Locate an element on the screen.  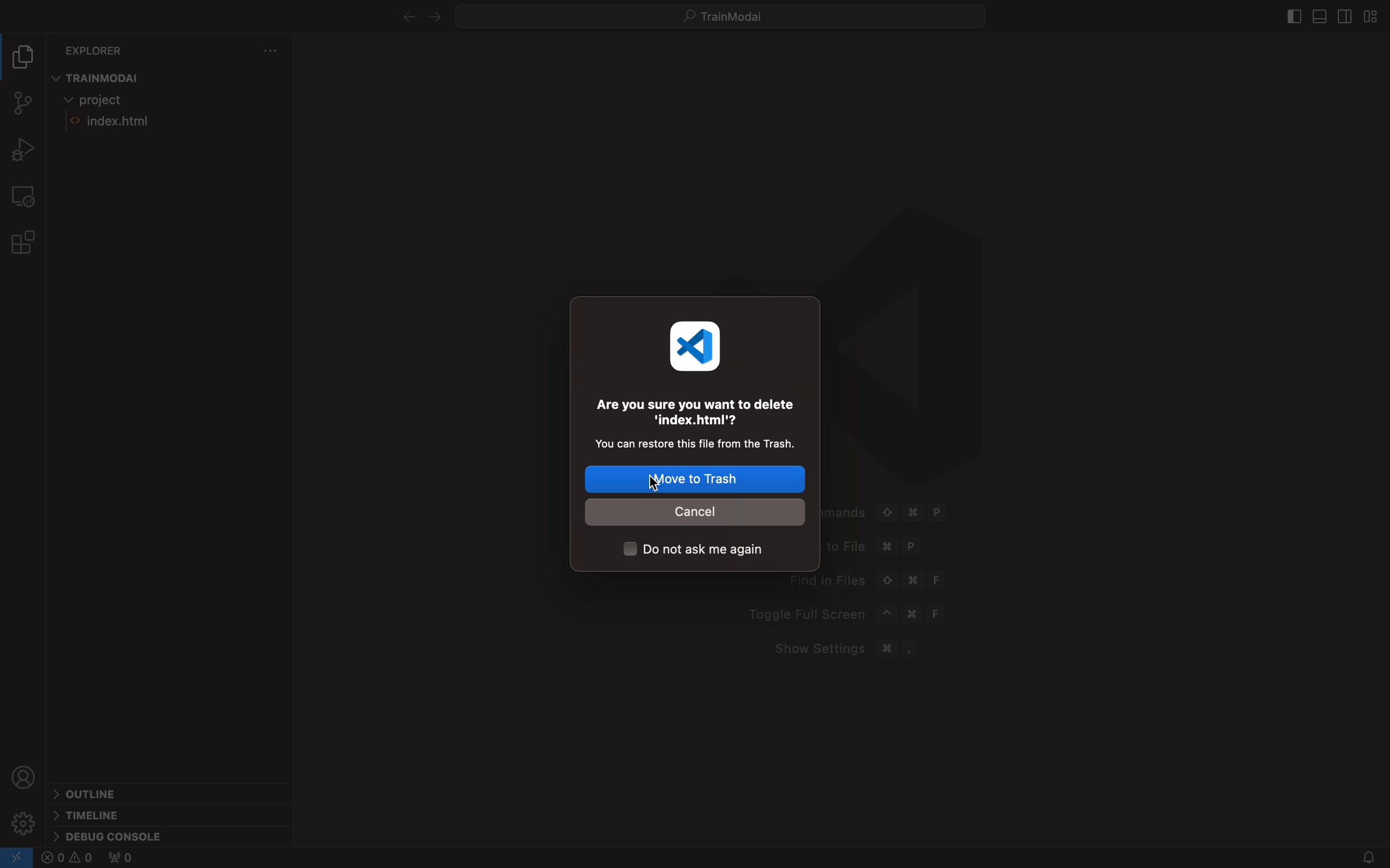
don't show again  is located at coordinates (701, 551).